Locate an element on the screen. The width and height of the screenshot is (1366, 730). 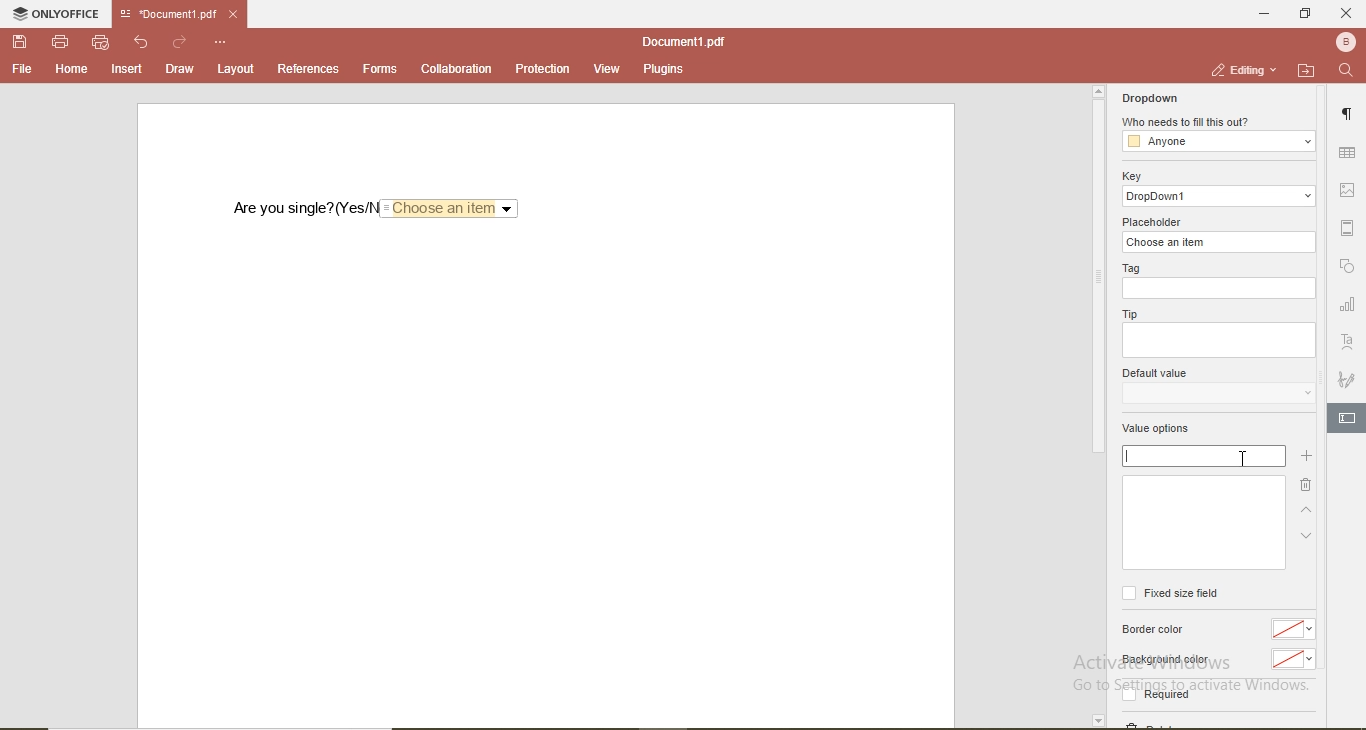
default value is located at coordinates (1157, 372).